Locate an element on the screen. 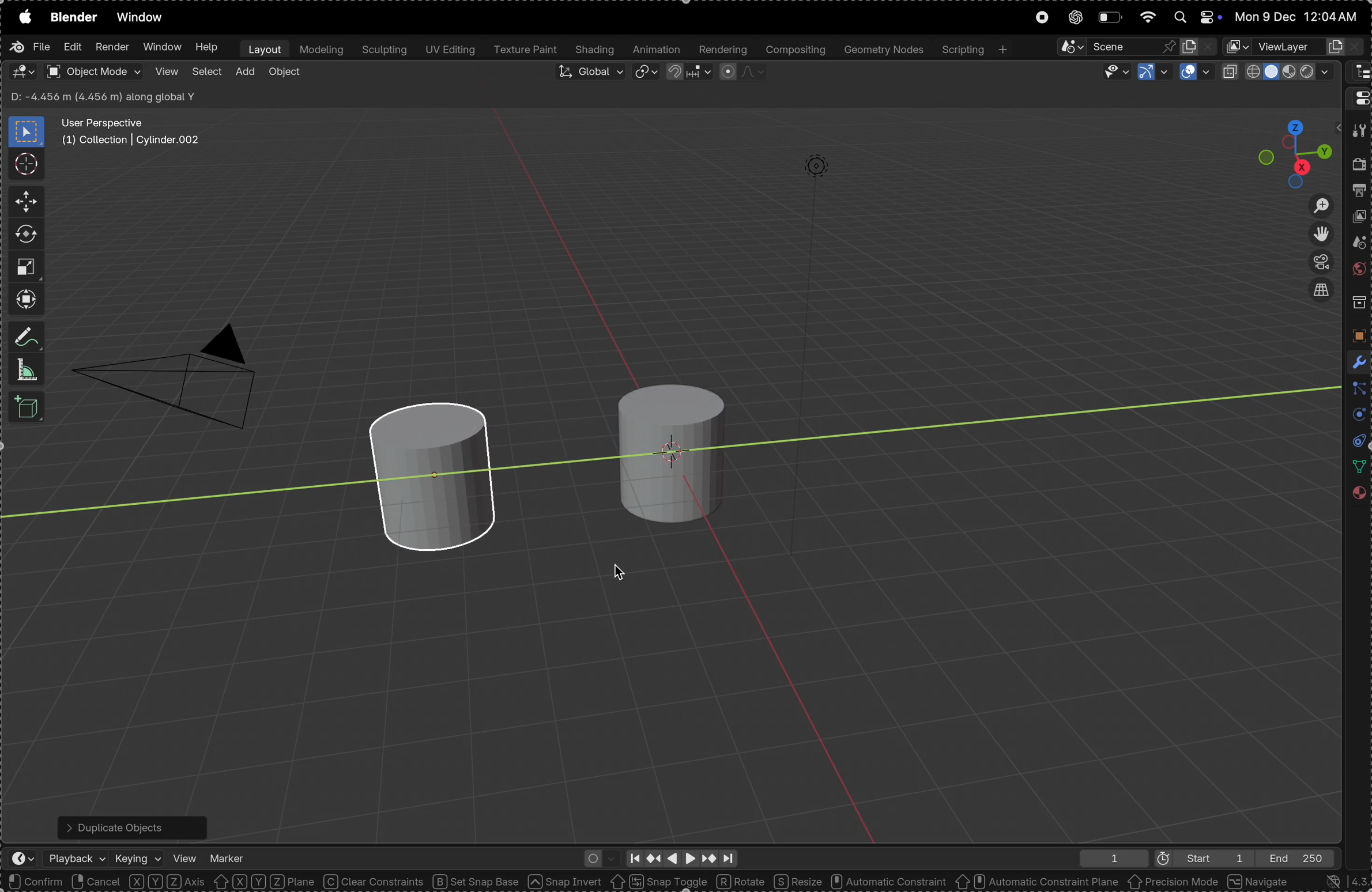  playback controls is located at coordinates (680, 856).